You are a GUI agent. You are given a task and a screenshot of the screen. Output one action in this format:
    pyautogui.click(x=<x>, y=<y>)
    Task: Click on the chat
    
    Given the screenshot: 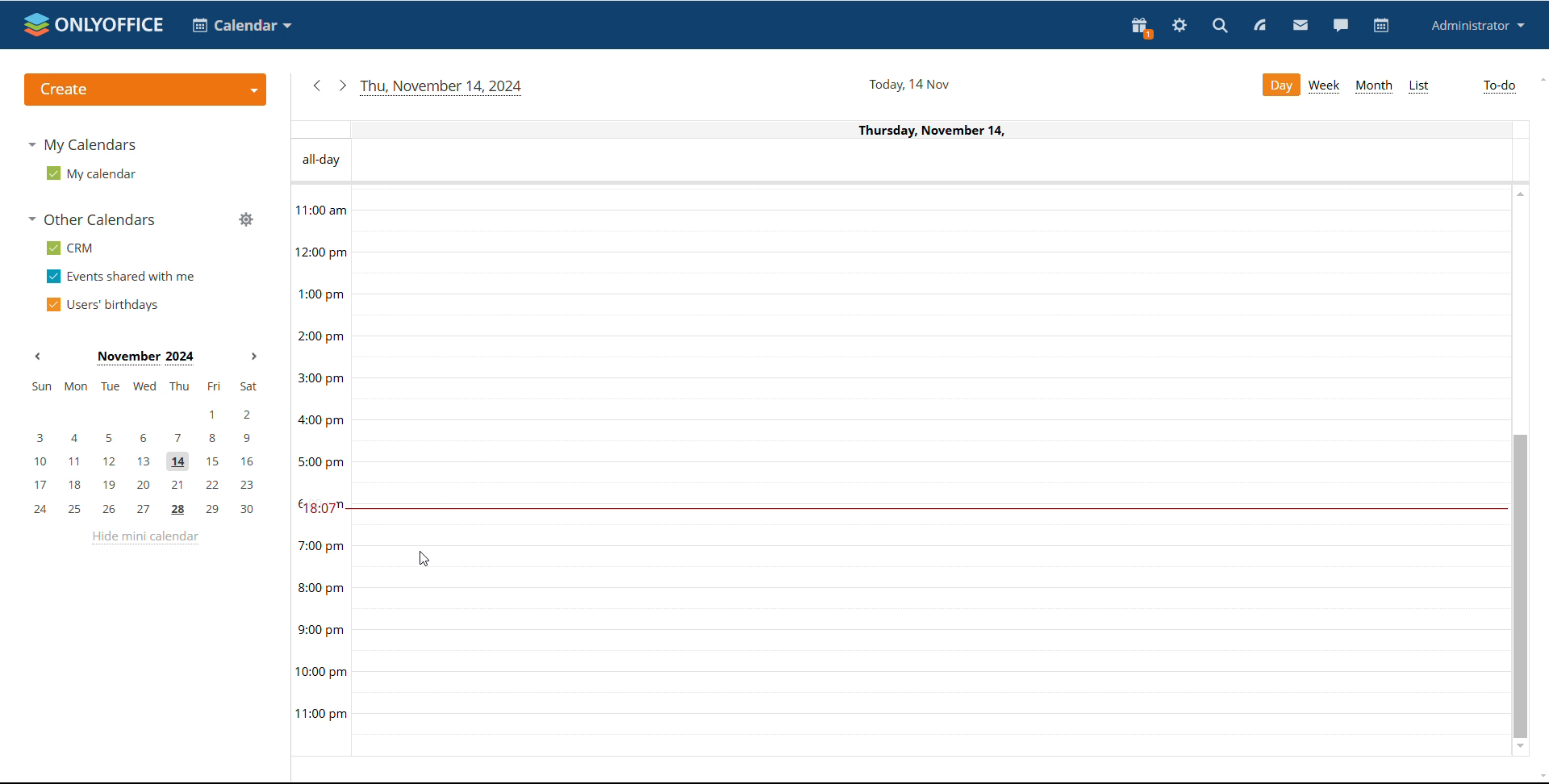 What is the action you would take?
    pyautogui.click(x=1340, y=25)
    